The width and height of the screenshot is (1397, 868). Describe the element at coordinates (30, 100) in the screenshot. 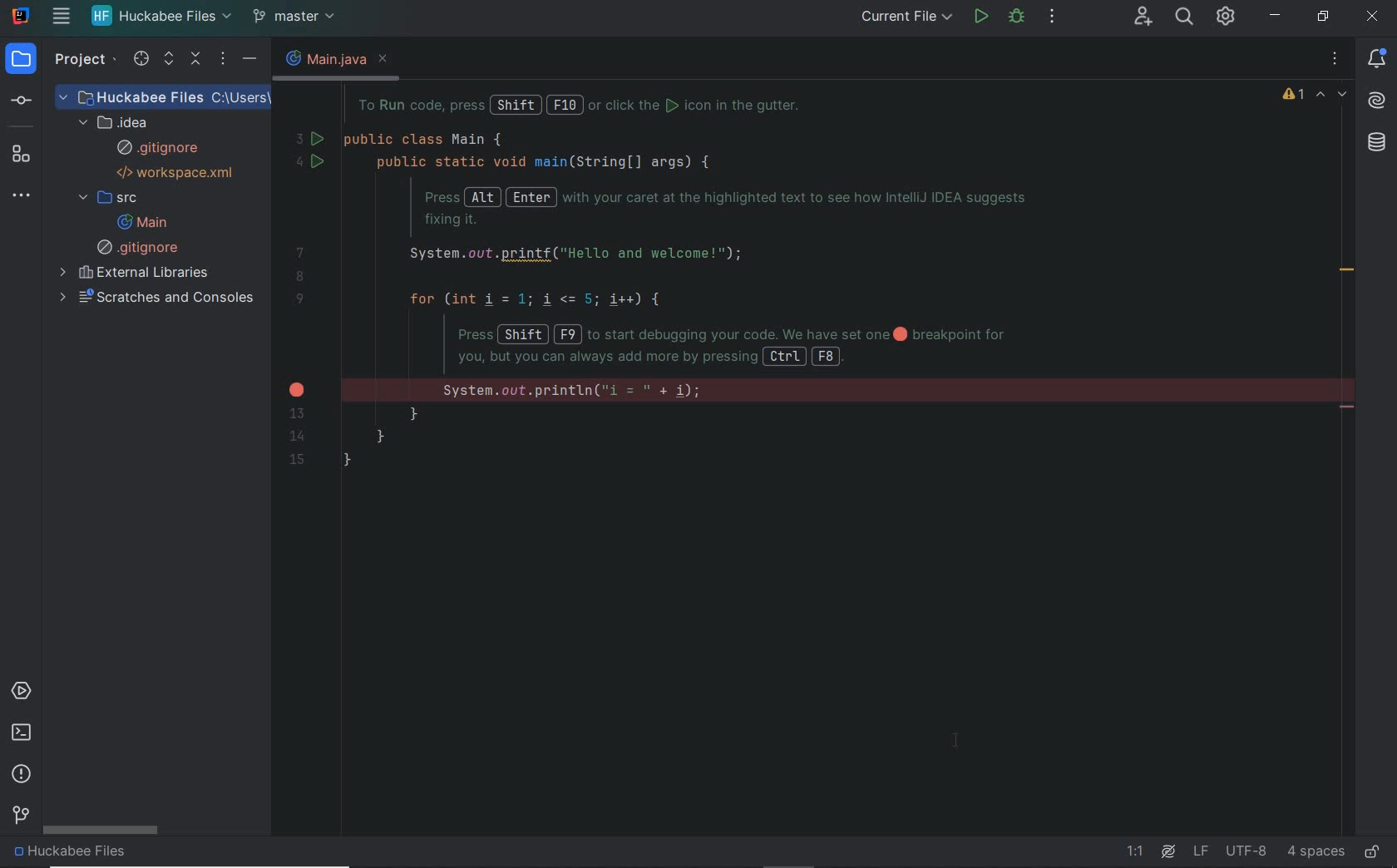

I see `commit` at that location.